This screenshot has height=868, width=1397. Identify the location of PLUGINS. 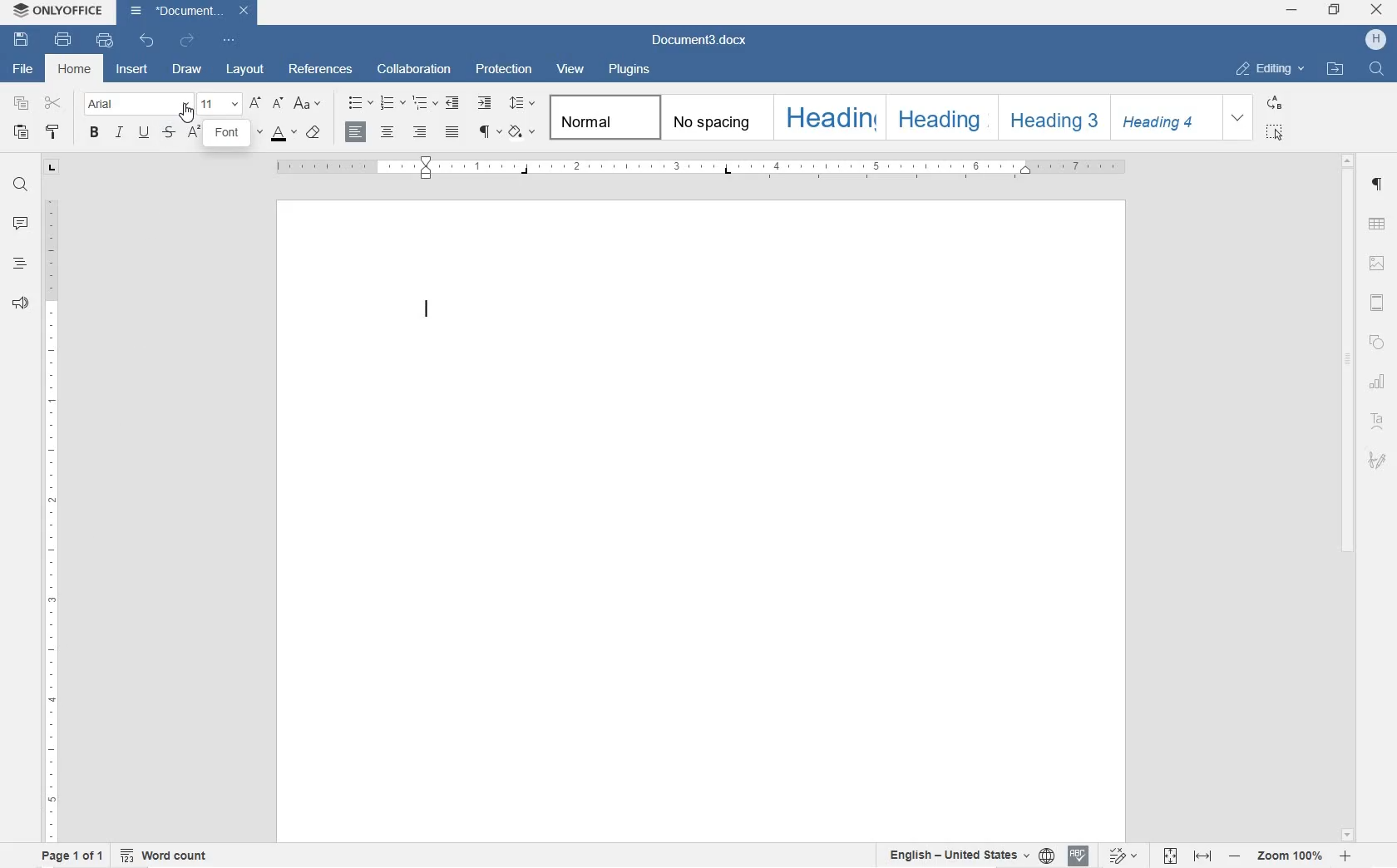
(630, 70).